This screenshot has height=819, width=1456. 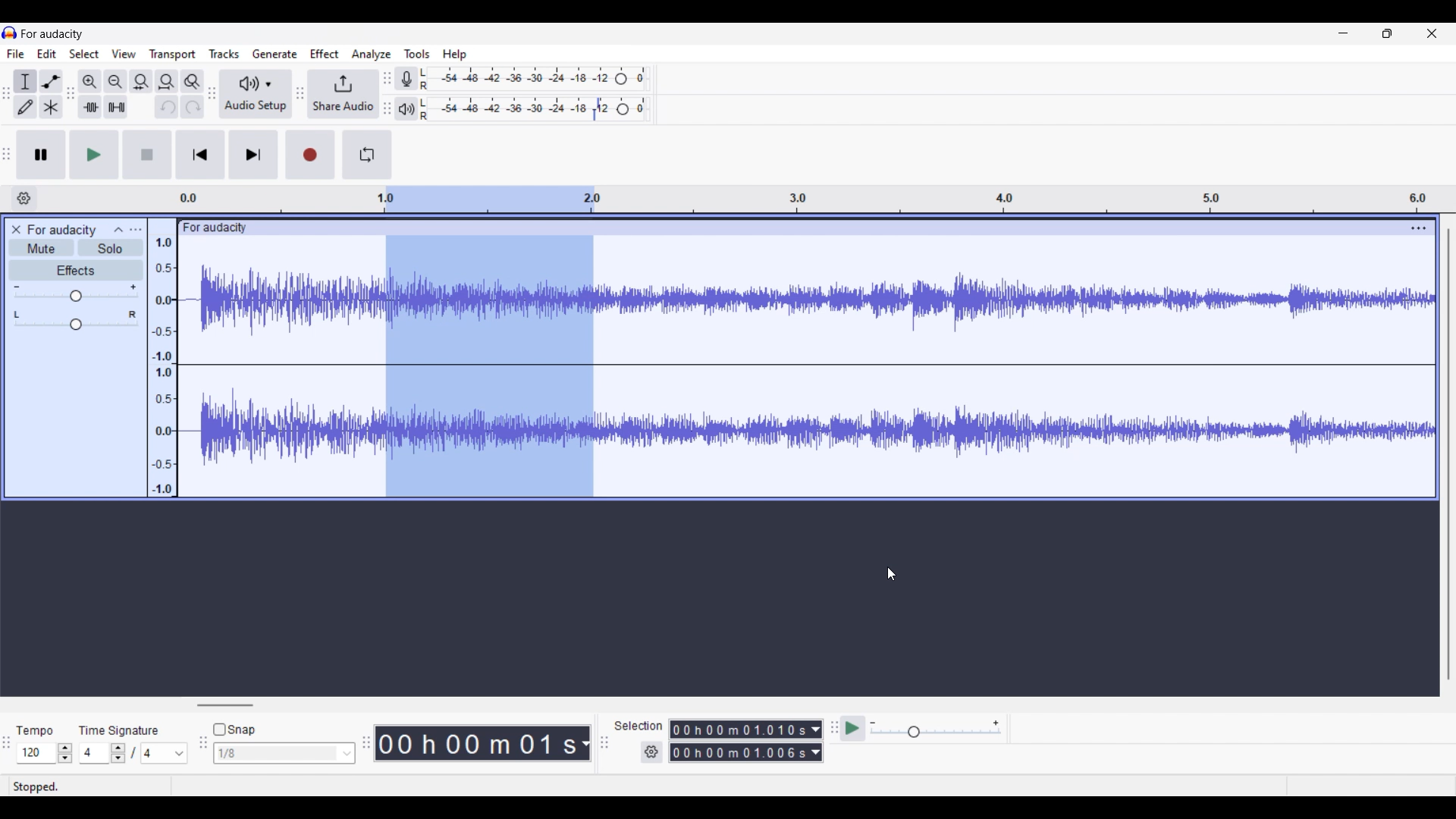 I want to click on for audacity, so click(x=62, y=231).